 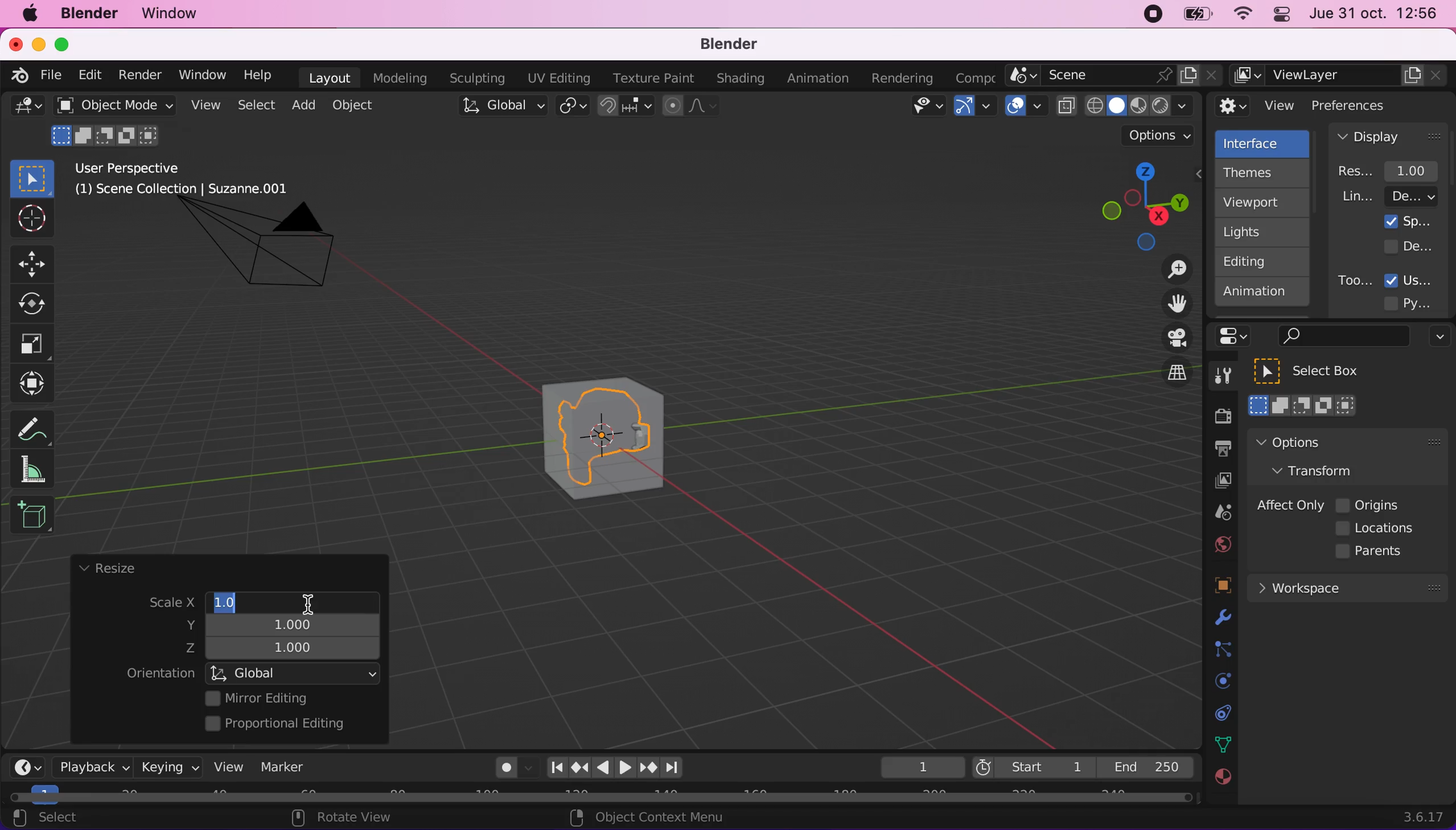 I want to click on splash screen, so click(x=1408, y=221).